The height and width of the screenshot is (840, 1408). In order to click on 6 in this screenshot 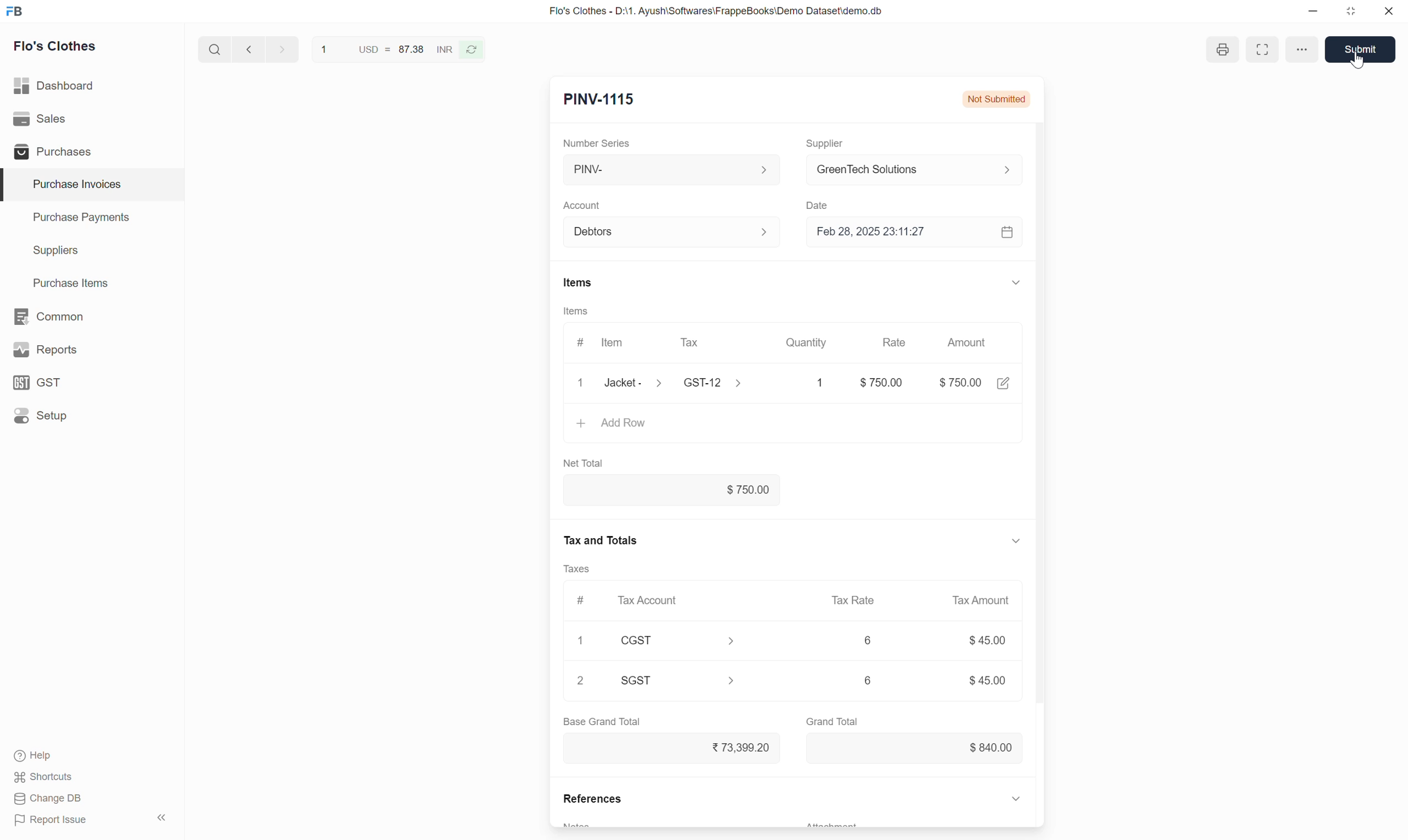, I will do `click(868, 640)`.